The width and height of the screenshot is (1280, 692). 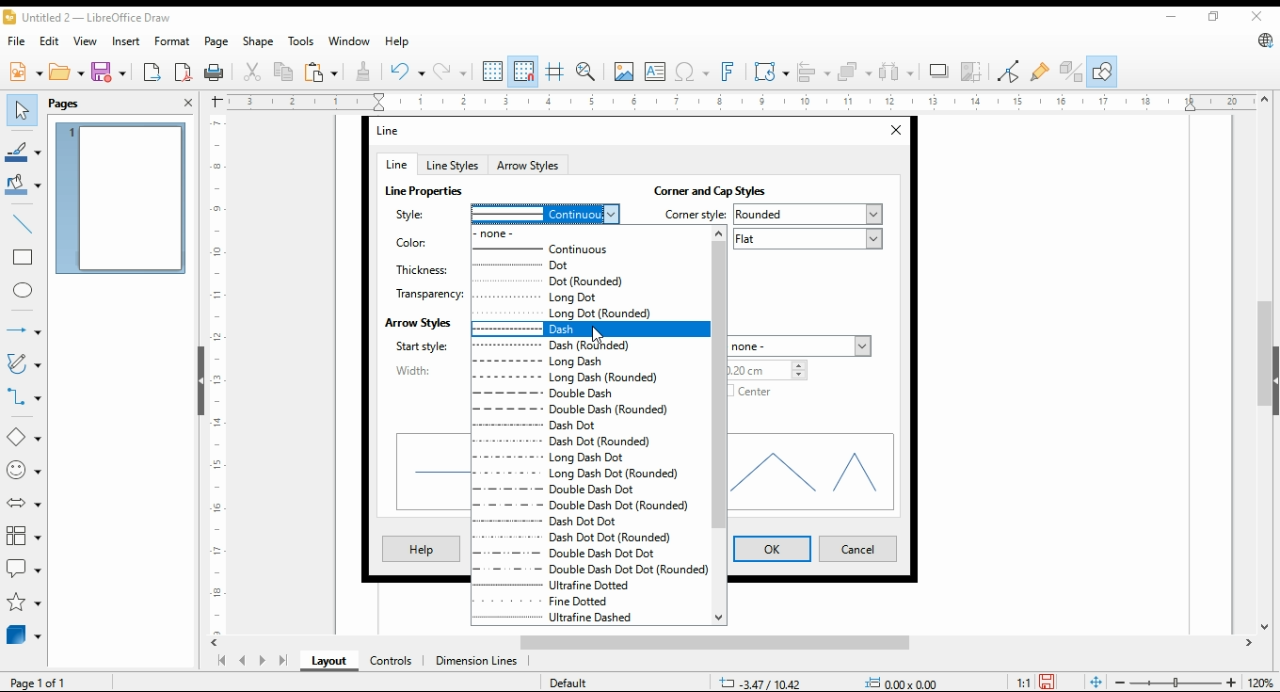 I want to click on dash dot dot (rounded), so click(x=572, y=538).